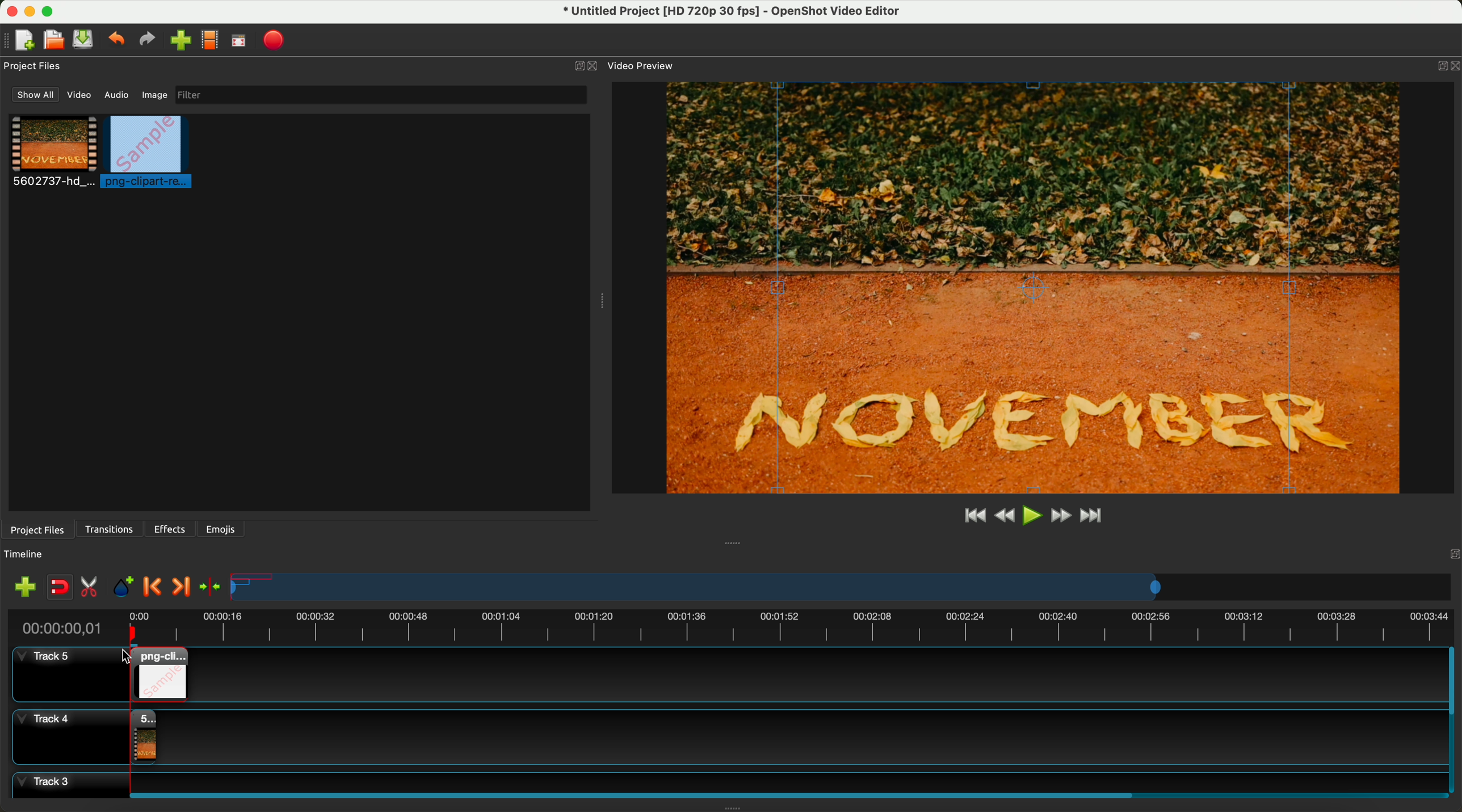 The width and height of the screenshot is (1462, 812). I want to click on pREVIEW, so click(1039, 287).